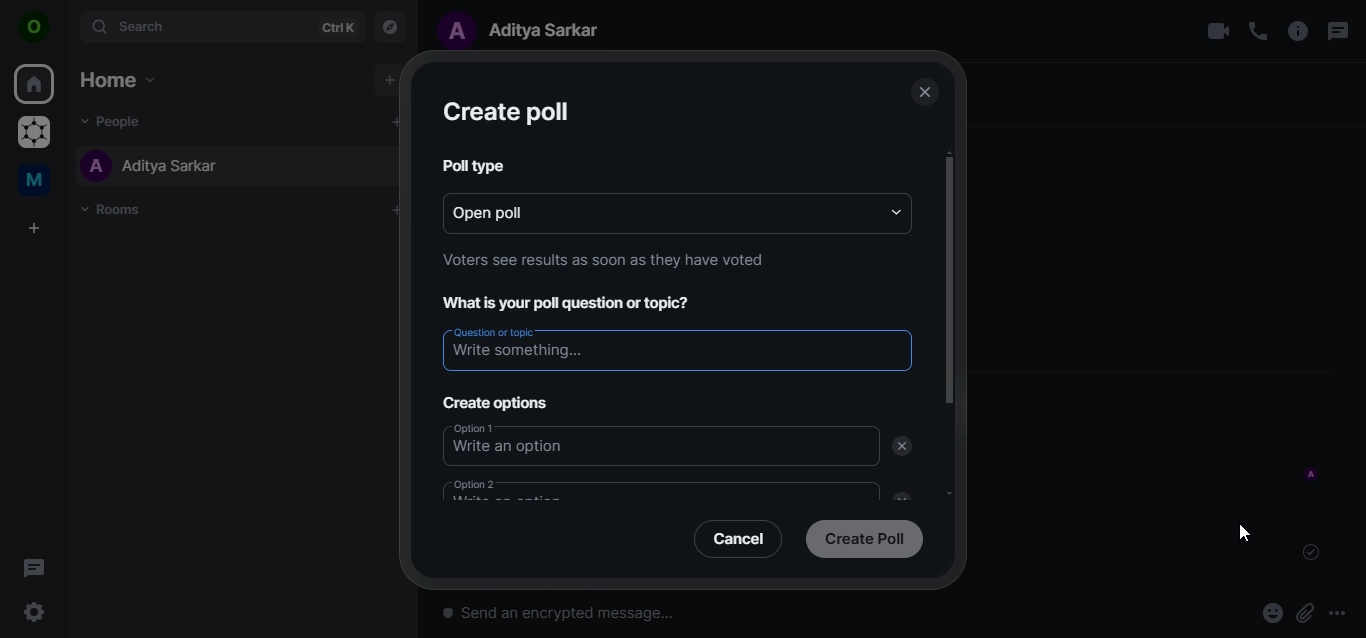 This screenshot has height=638, width=1366. Describe the element at coordinates (1344, 613) in the screenshot. I see `more options` at that location.